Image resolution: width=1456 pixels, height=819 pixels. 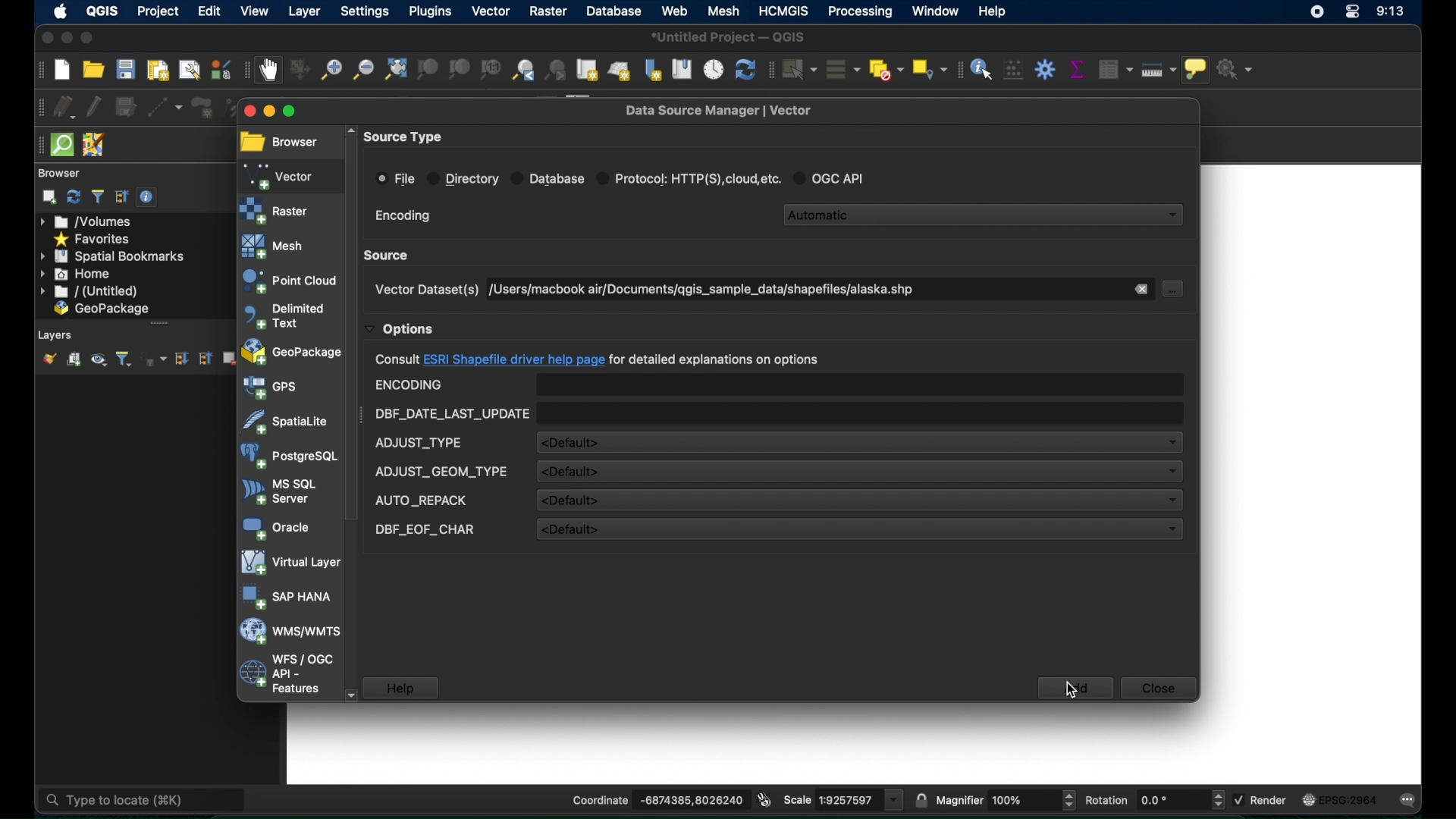 I want to click on save project, so click(x=127, y=71).